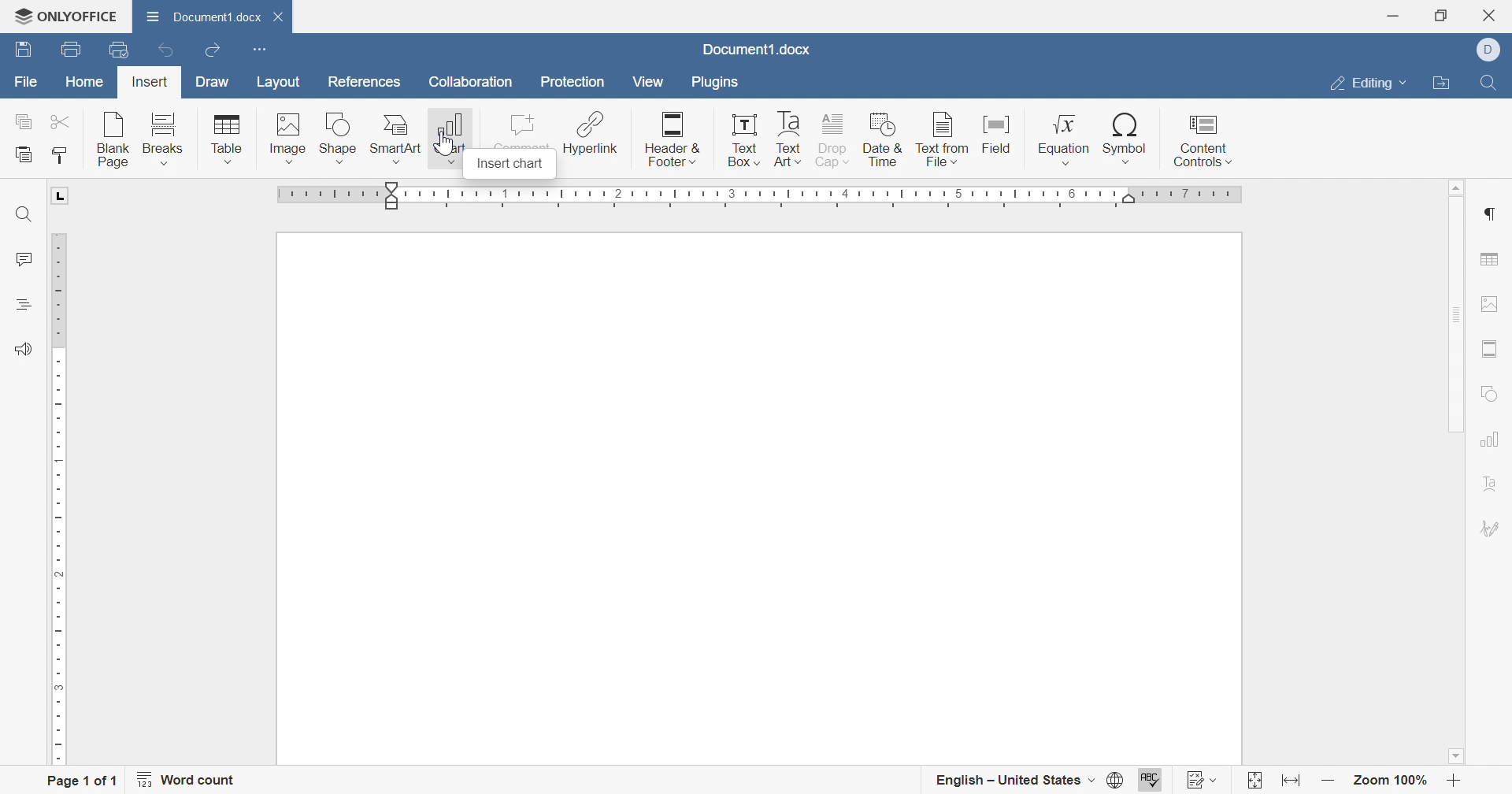 This screenshot has width=1512, height=794. I want to click on zoom out, so click(1325, 780).